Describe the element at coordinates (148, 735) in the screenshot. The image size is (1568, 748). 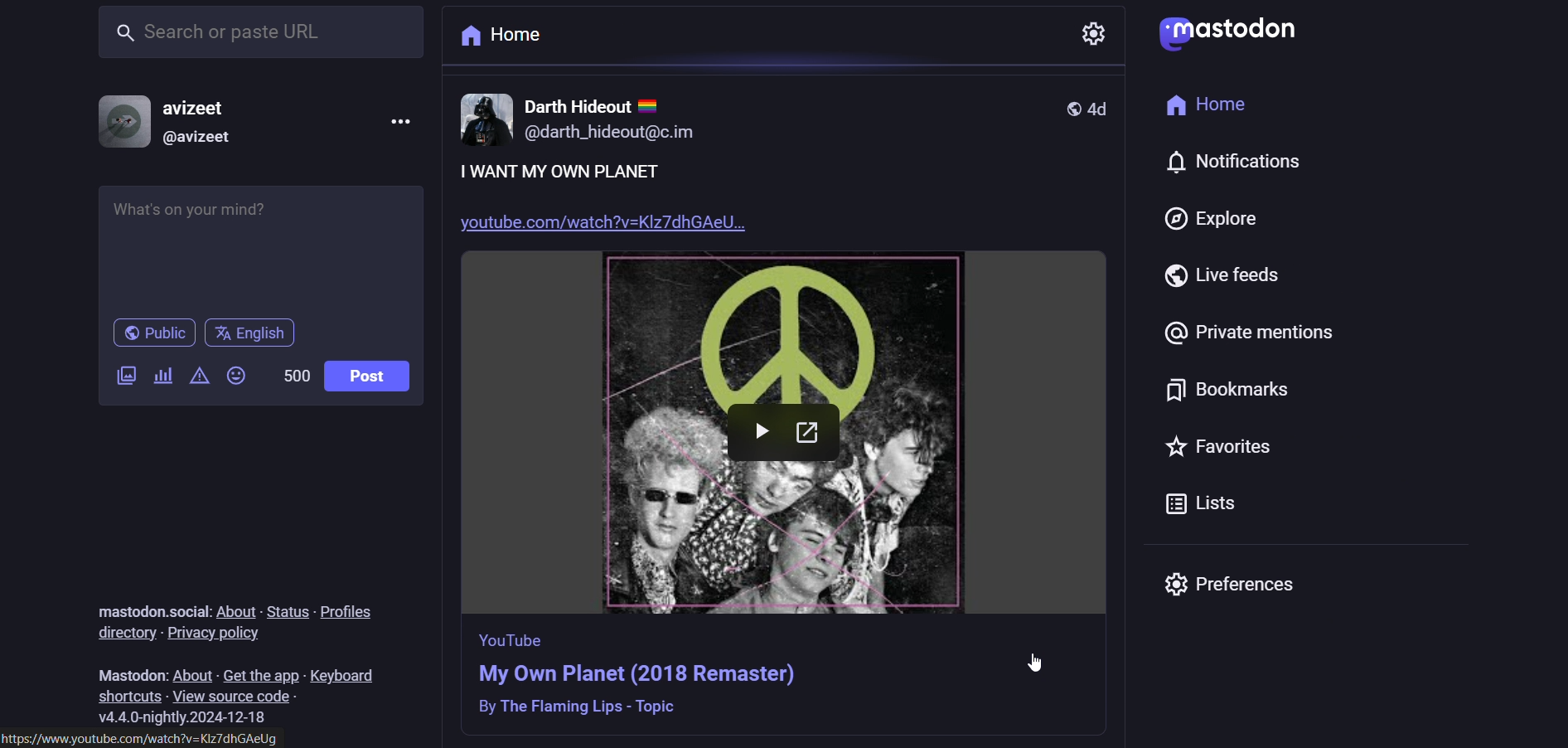
I see `https://www.youtube.com/watch` at that location.